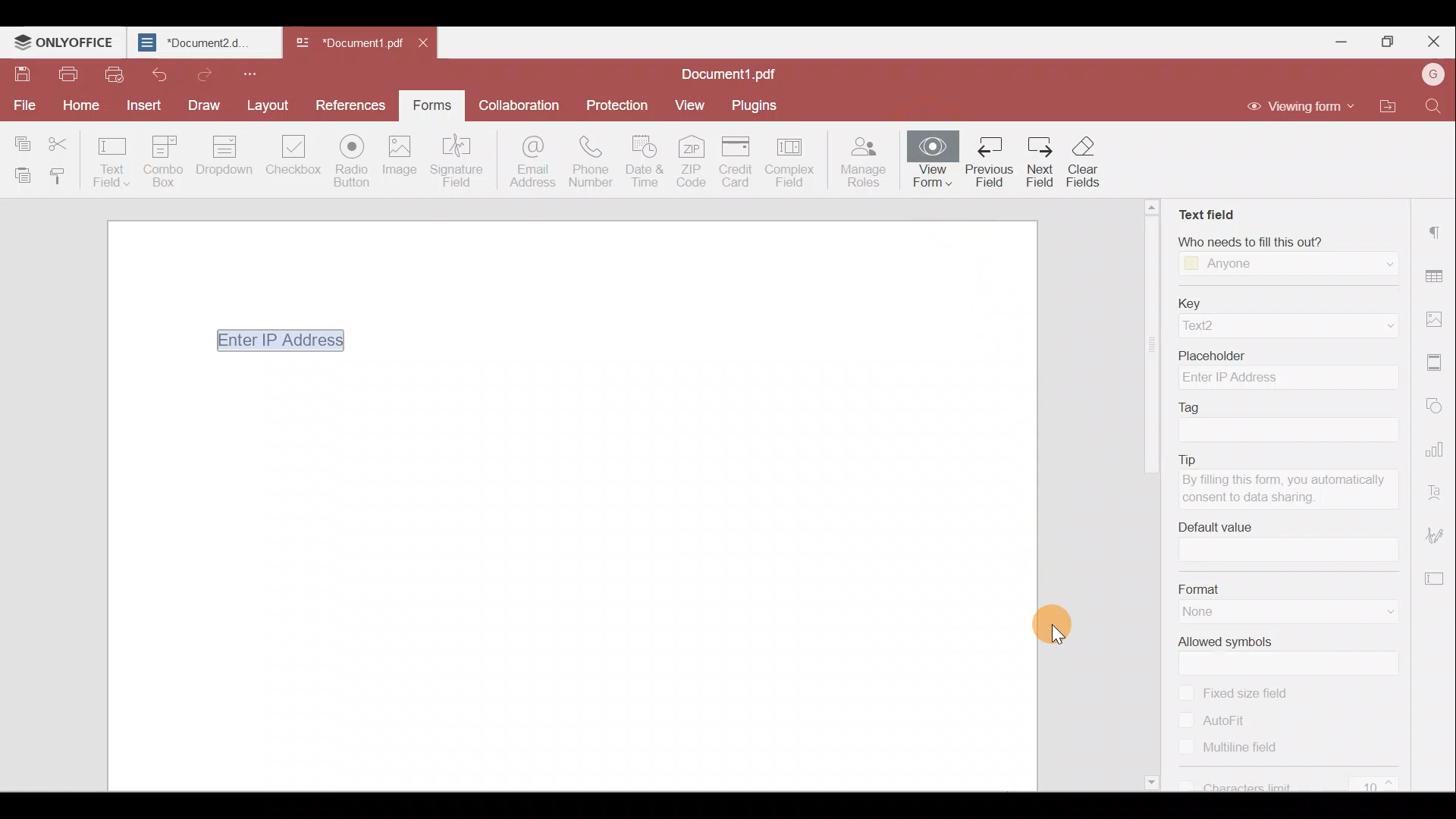  Describe the element at coordinates (1437, 448) in the screenshot. I see `Chart settings` at that location.